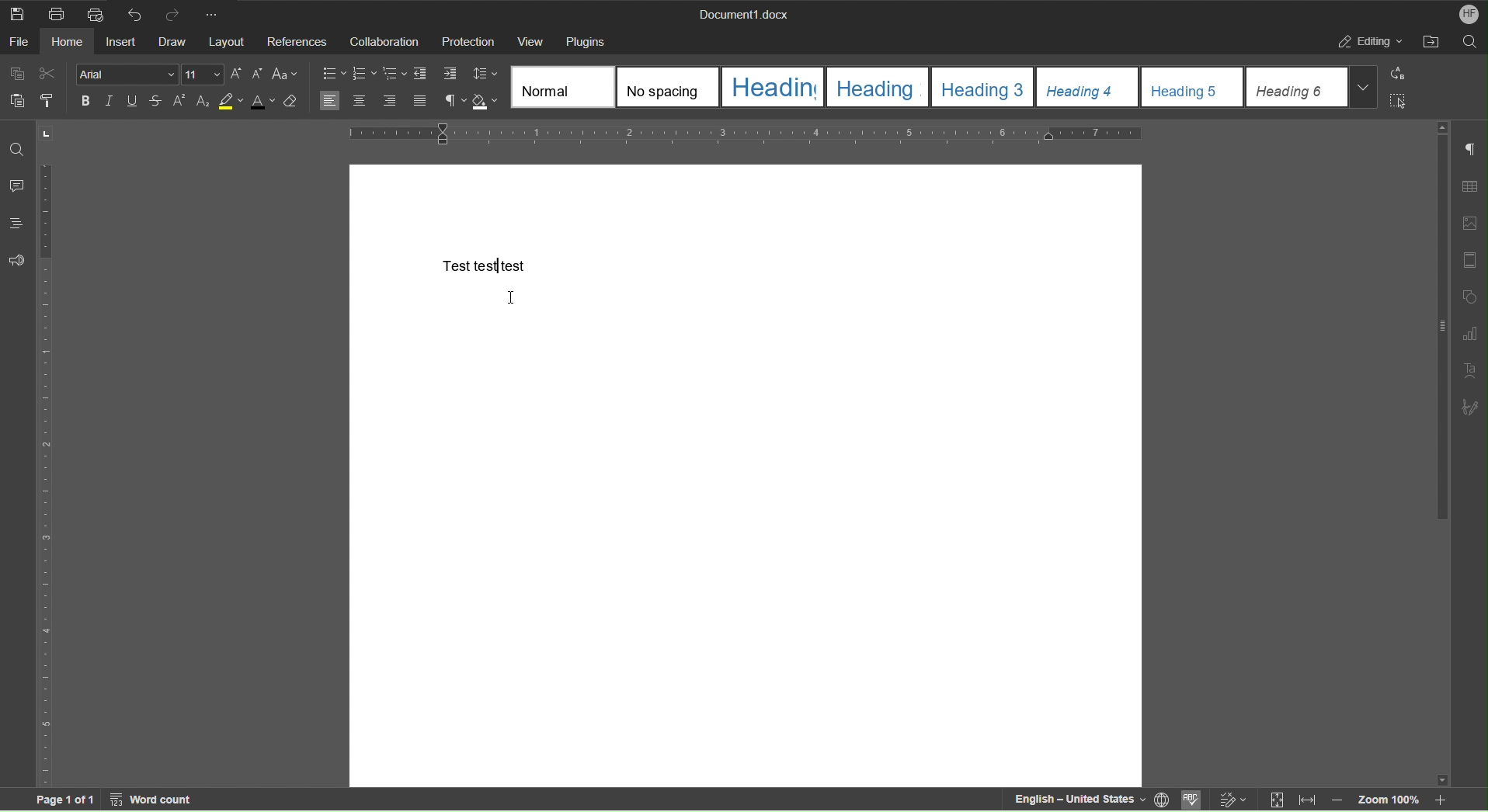  What do you see at coordinates (131, 12) in the screenshot?
I see `Undo` at bounding box center [131, 12].